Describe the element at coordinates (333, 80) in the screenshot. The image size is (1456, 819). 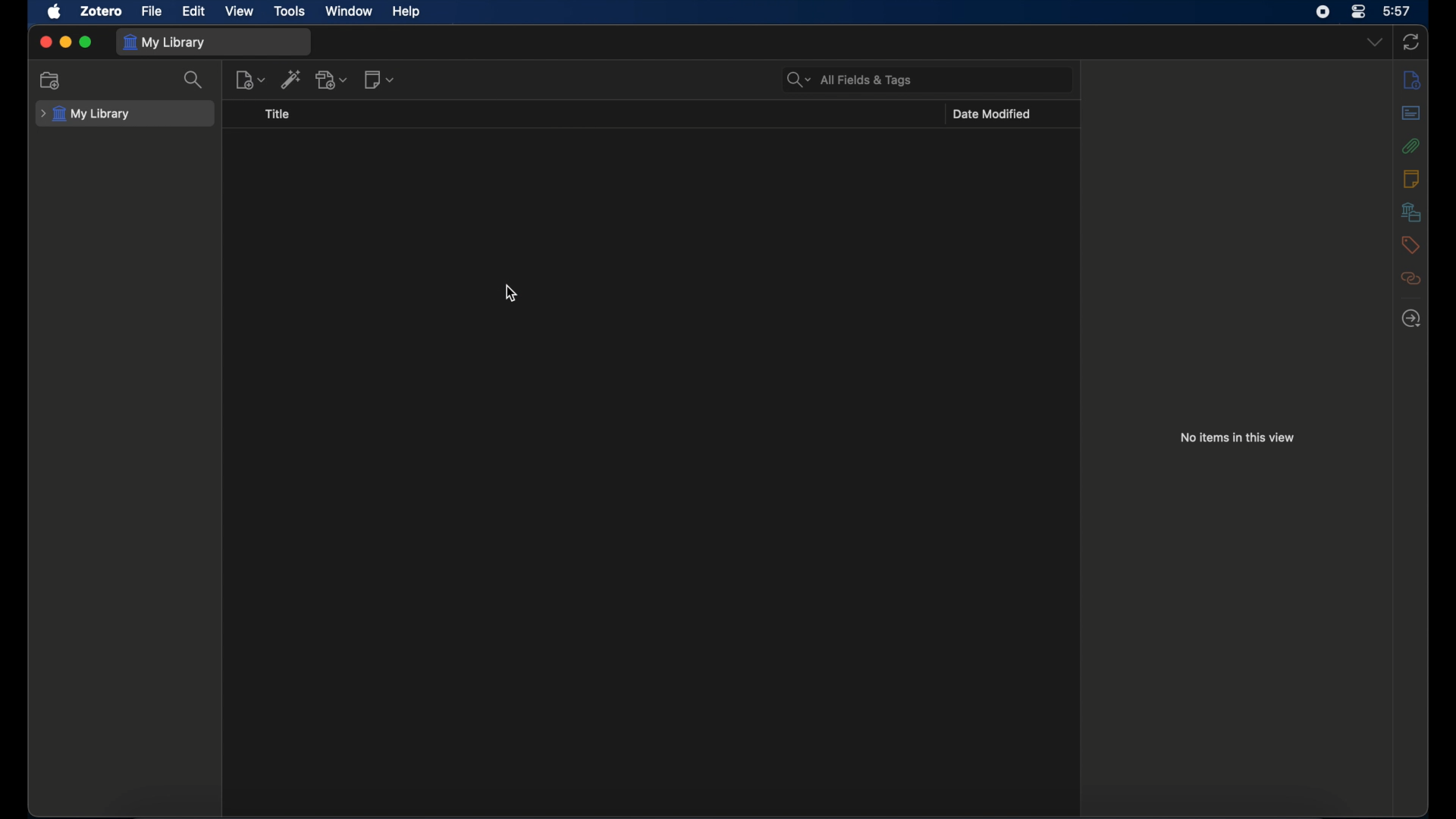
I see `add attachments` at that location.